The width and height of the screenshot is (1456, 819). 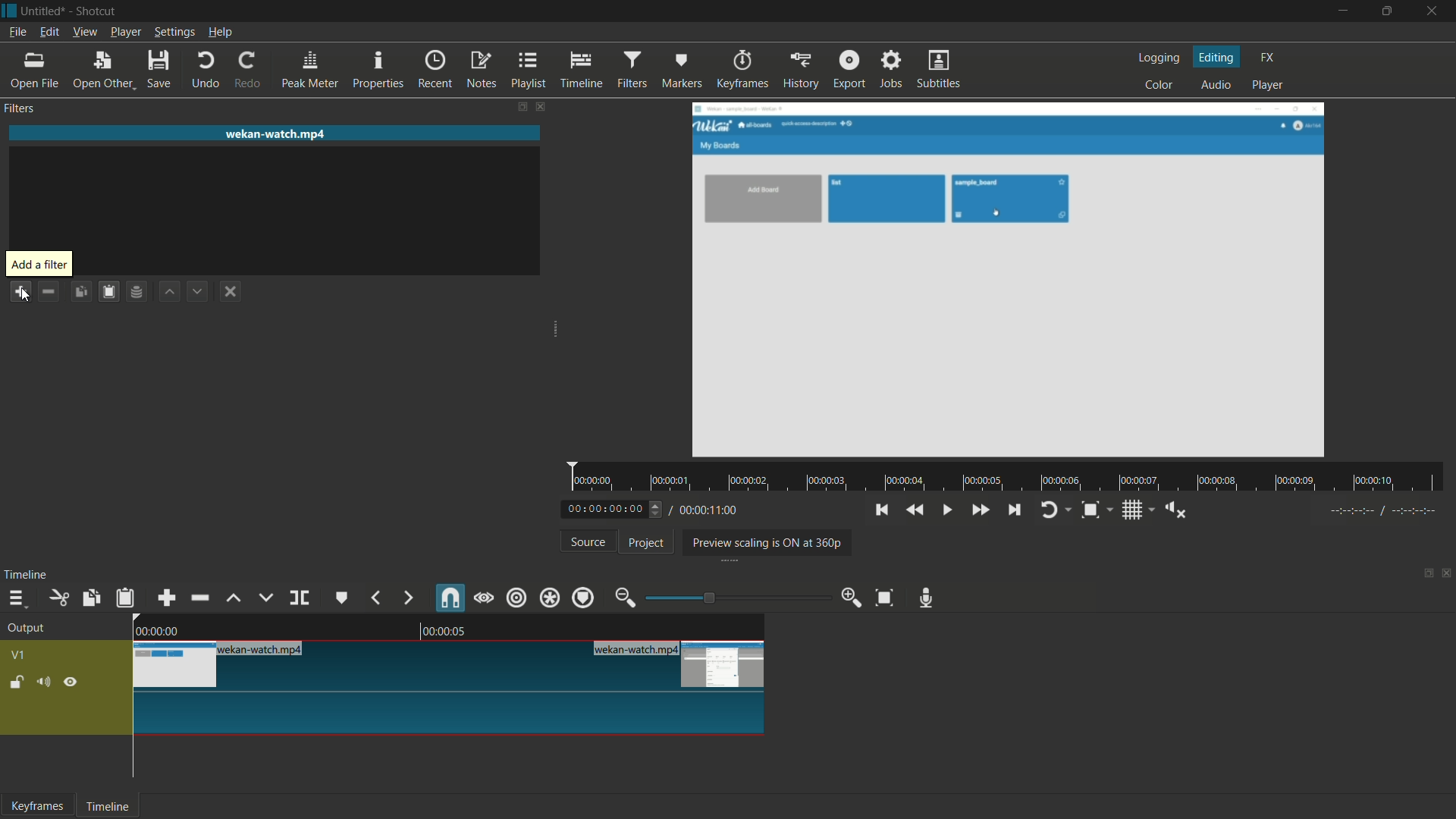 What do you see at coordinates (17, 32) in the screenshot?
I see `file menu` at bounding box center [17, 32].